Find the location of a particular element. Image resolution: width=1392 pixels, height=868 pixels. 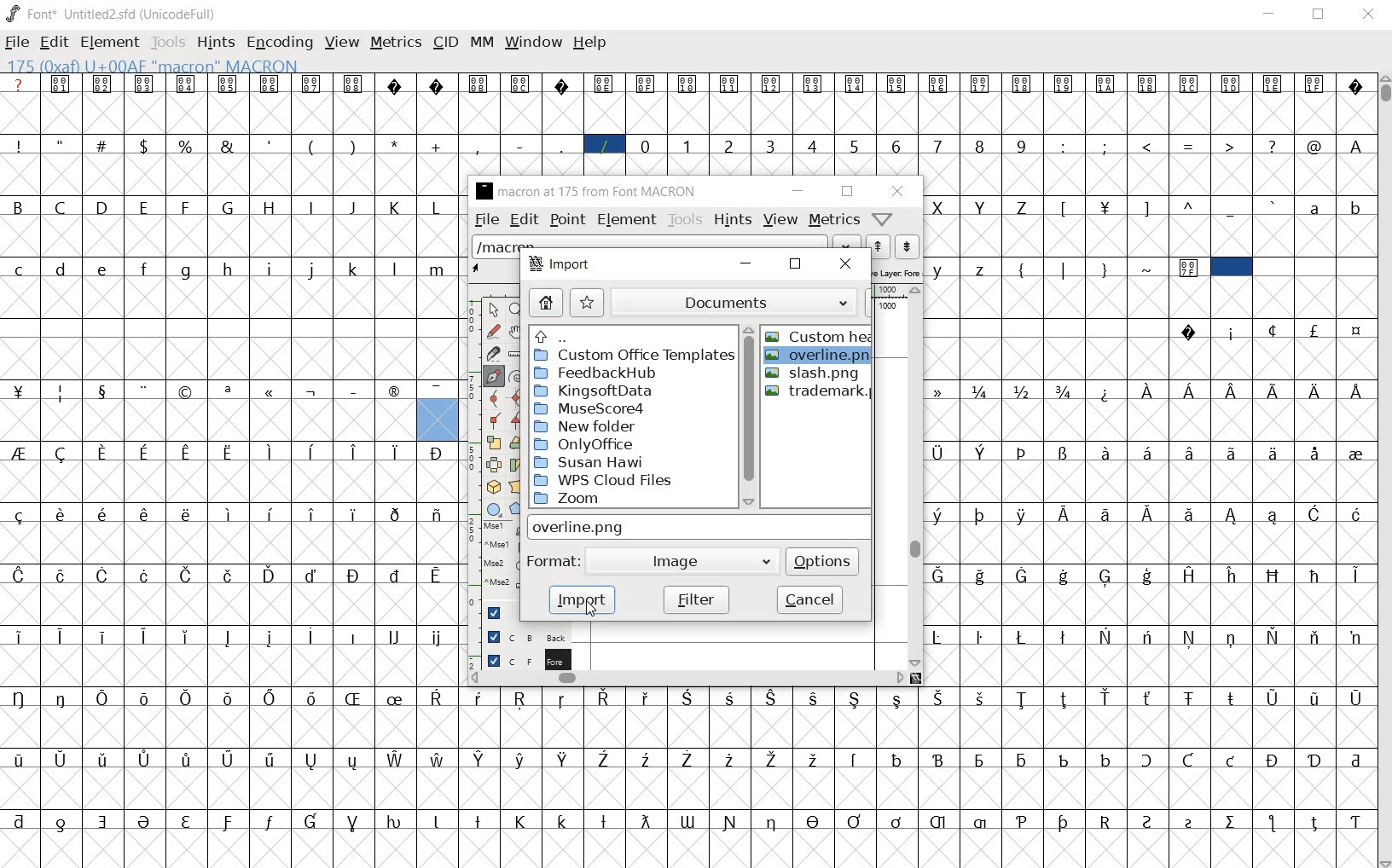

X is located at coordinates (940, 207).